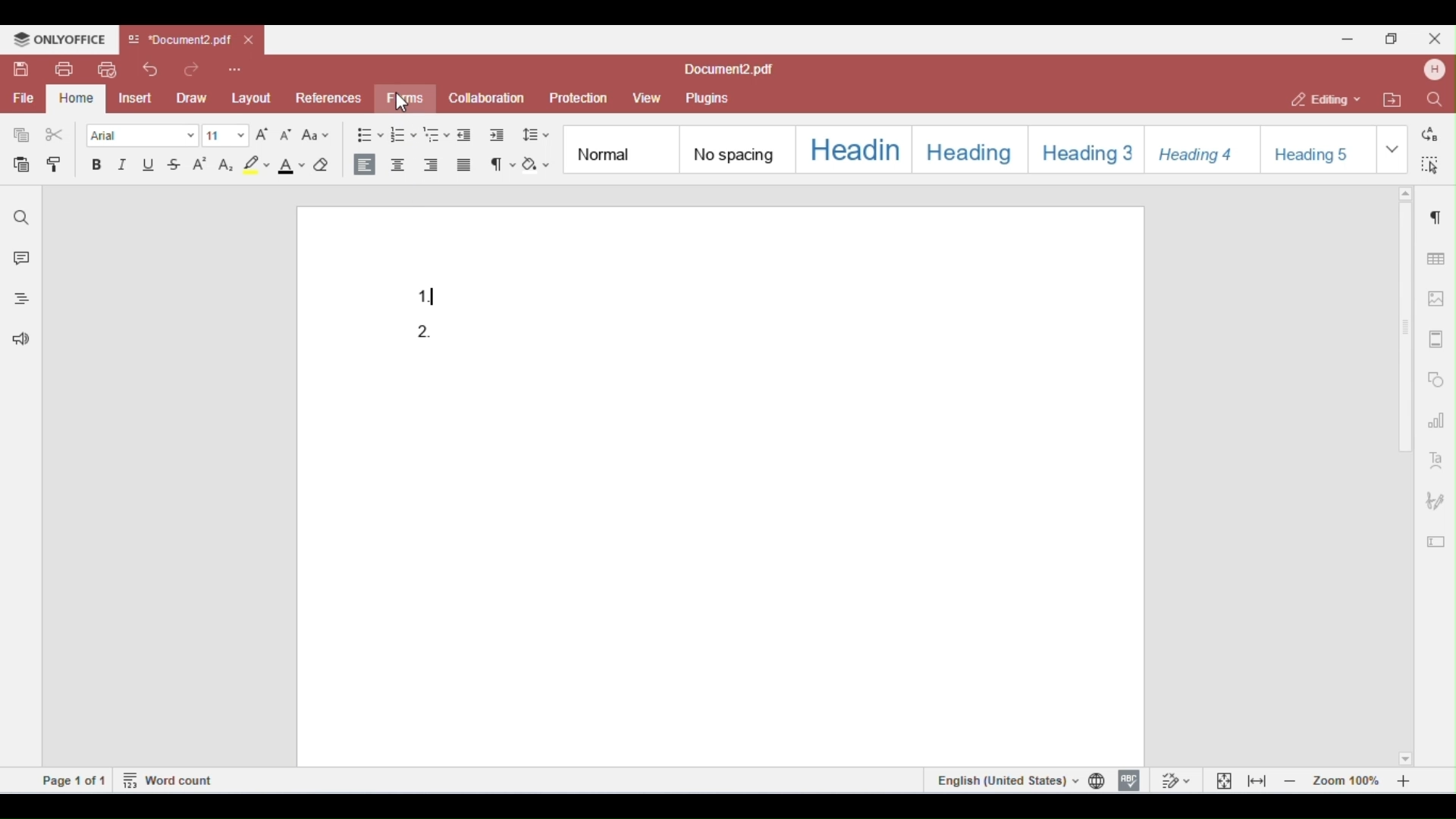 The height and width of the screenshot is (819, 1456). Describe the element at coordinates (1435, 501) in the screenshot. I see `signature settings` at that location.